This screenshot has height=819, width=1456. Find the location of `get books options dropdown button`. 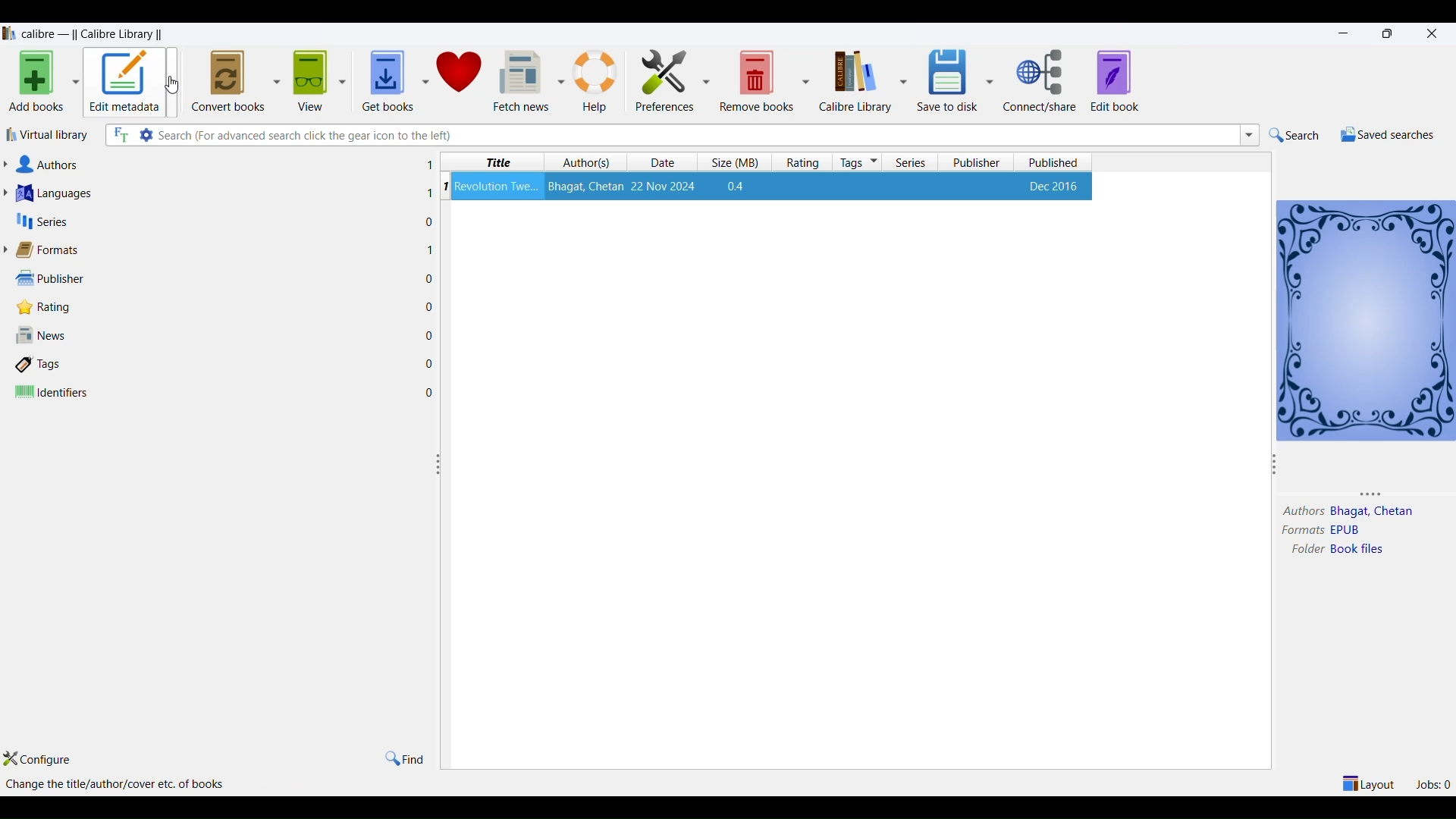

get books options dropdown button is located at coordinates (422, 76).